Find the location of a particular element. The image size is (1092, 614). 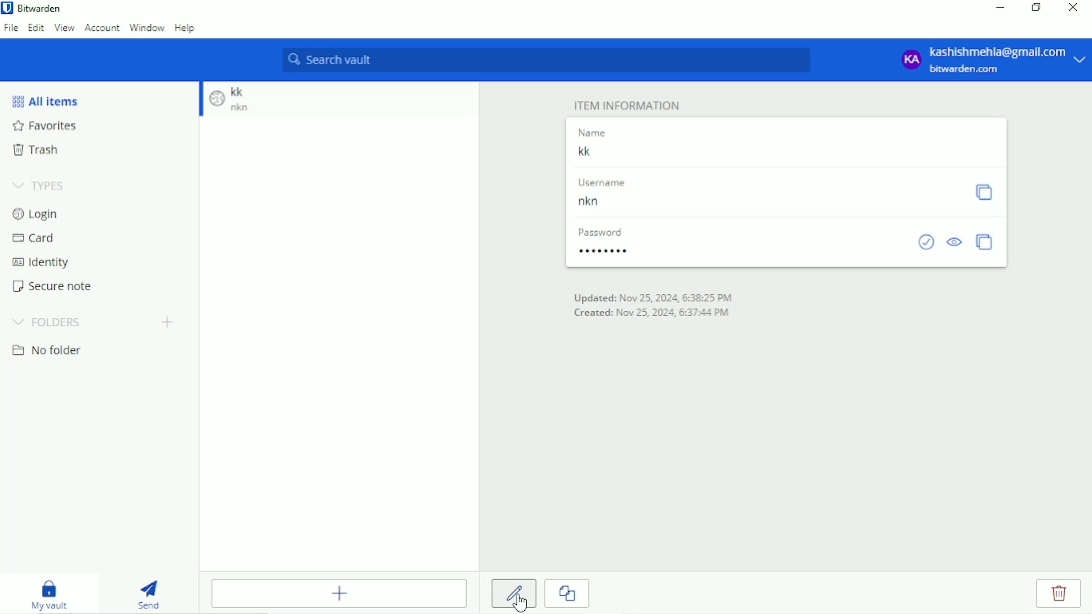

Account is located at coordinates (992, 59).